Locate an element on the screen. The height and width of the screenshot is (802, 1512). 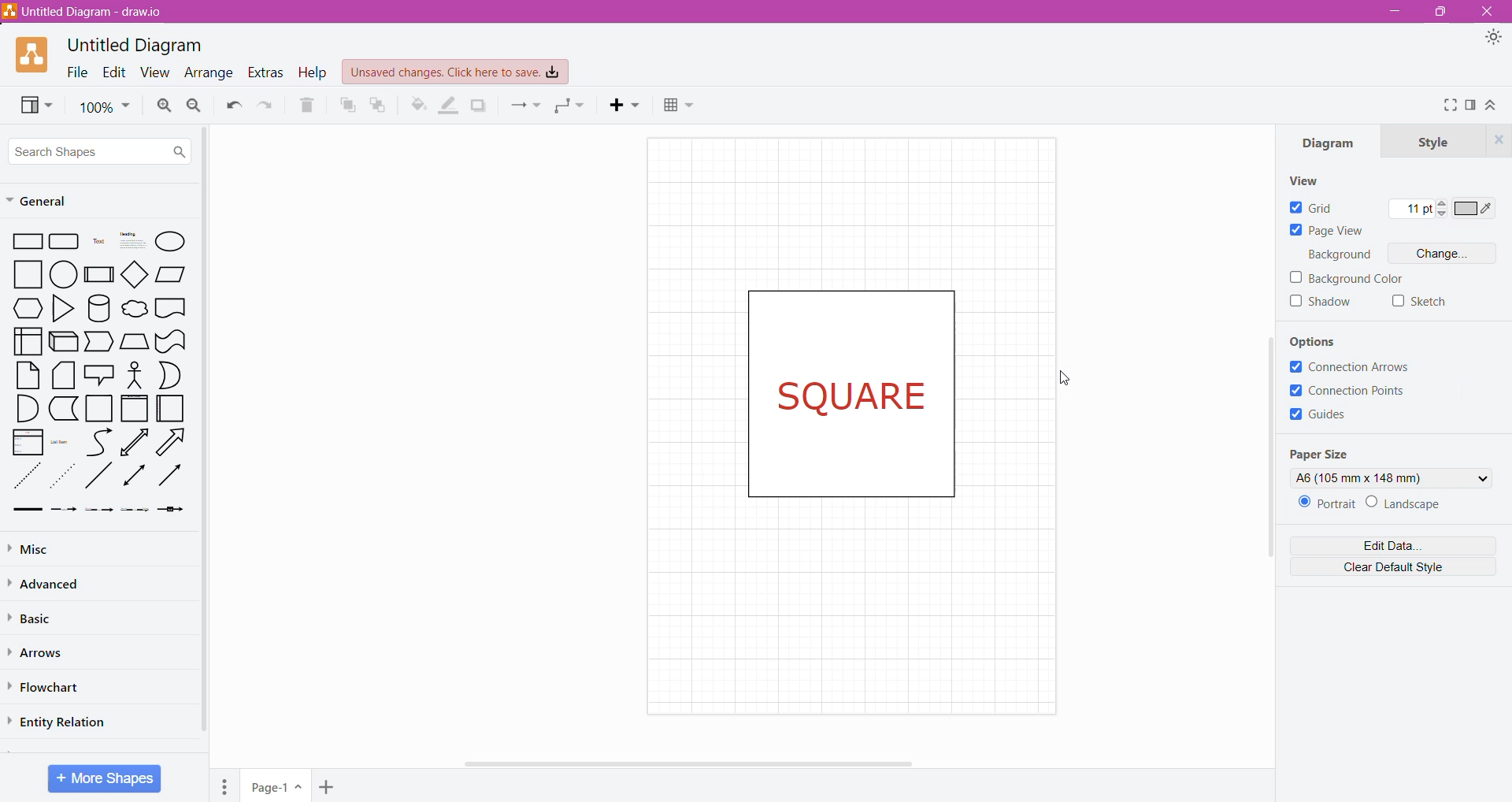
Arrow with a Box is located at coordinates (170, 509).